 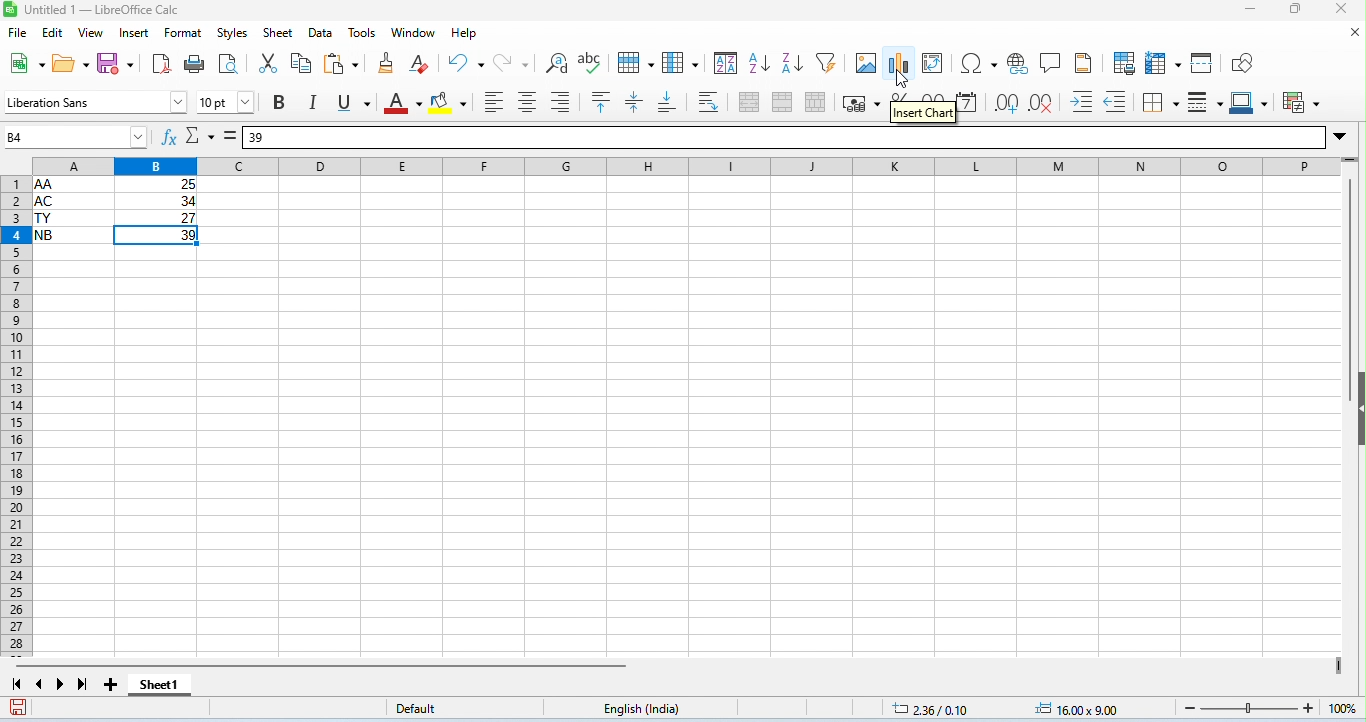 What do you see at coordinates (557, 63) in the screenshot?
I see `find and replace` at bounding box center [557, 63].